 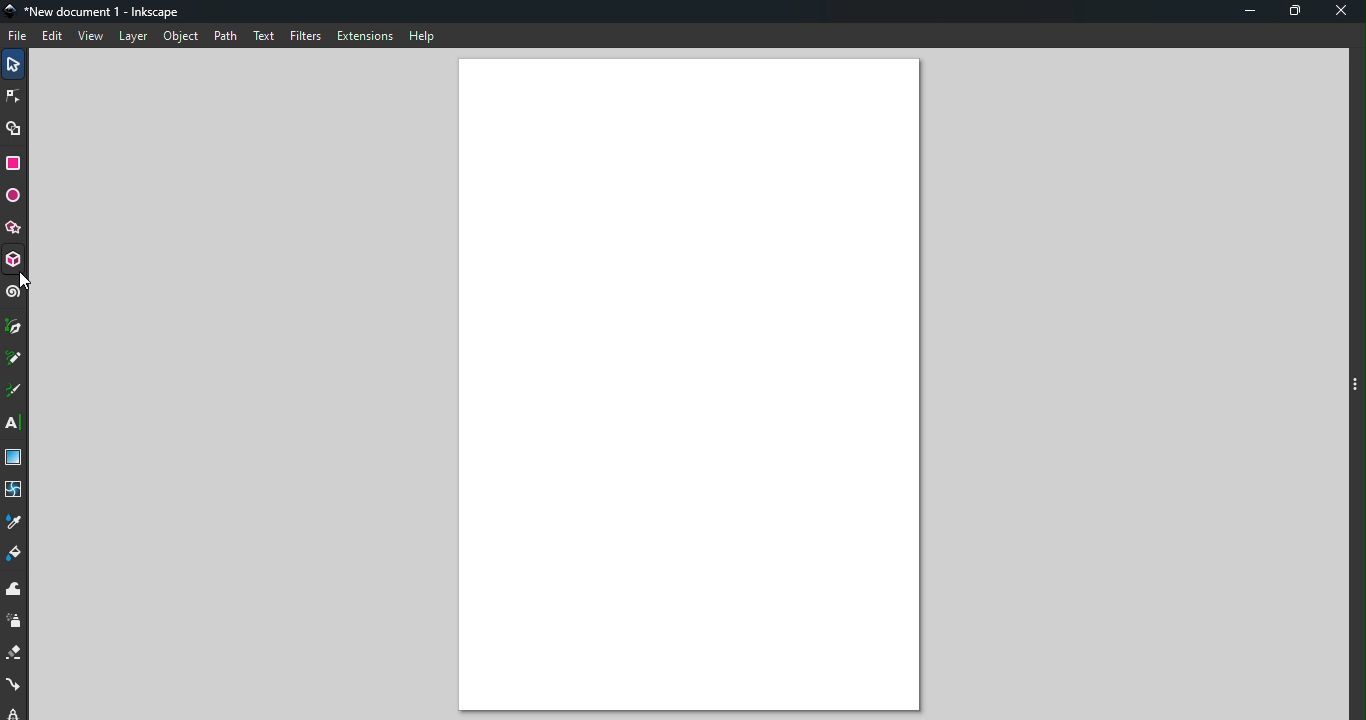 I want to click on Object, so click(x=178, y=39).